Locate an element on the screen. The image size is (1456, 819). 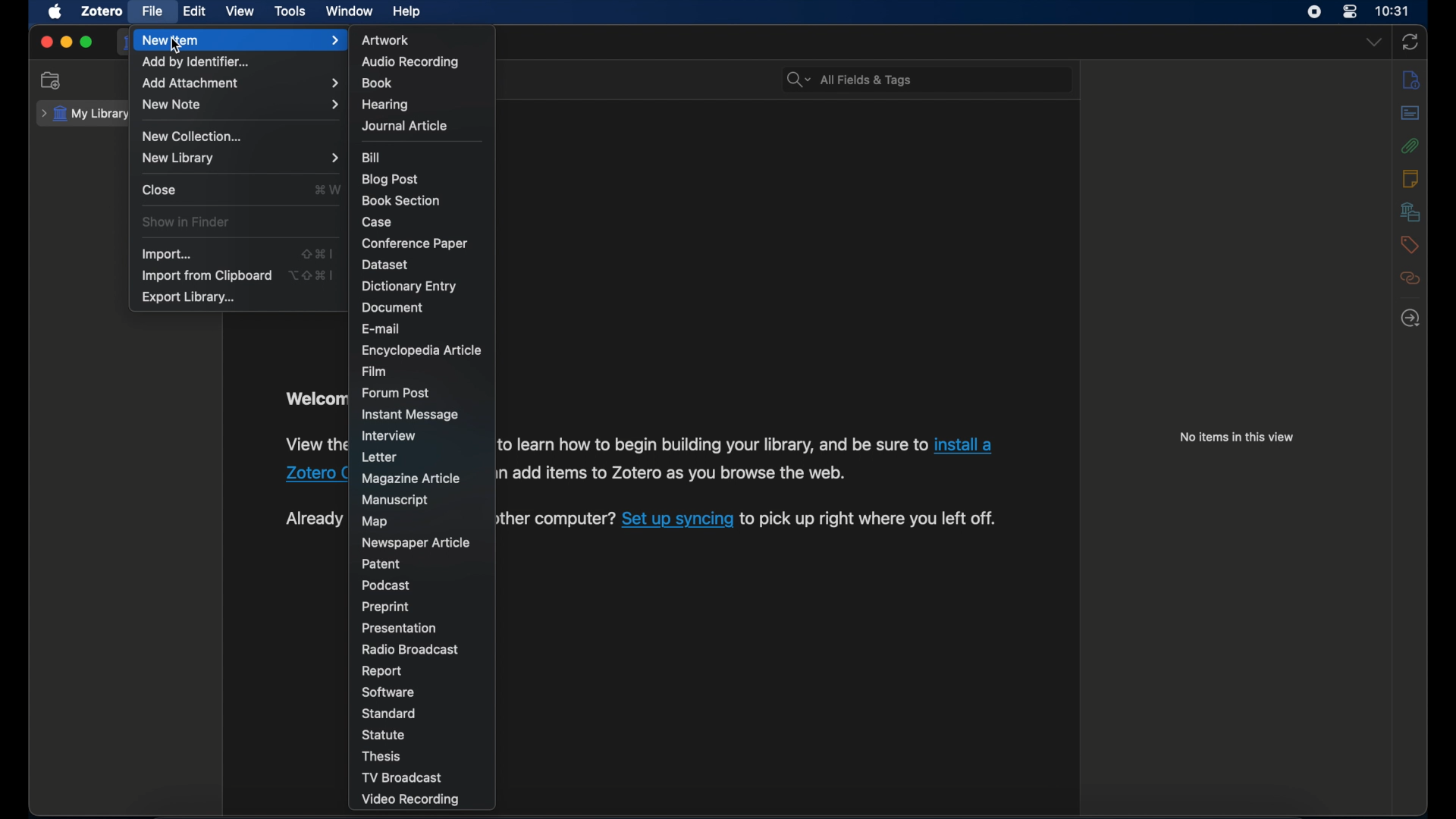
zotero is located at coordinates (102, 11).